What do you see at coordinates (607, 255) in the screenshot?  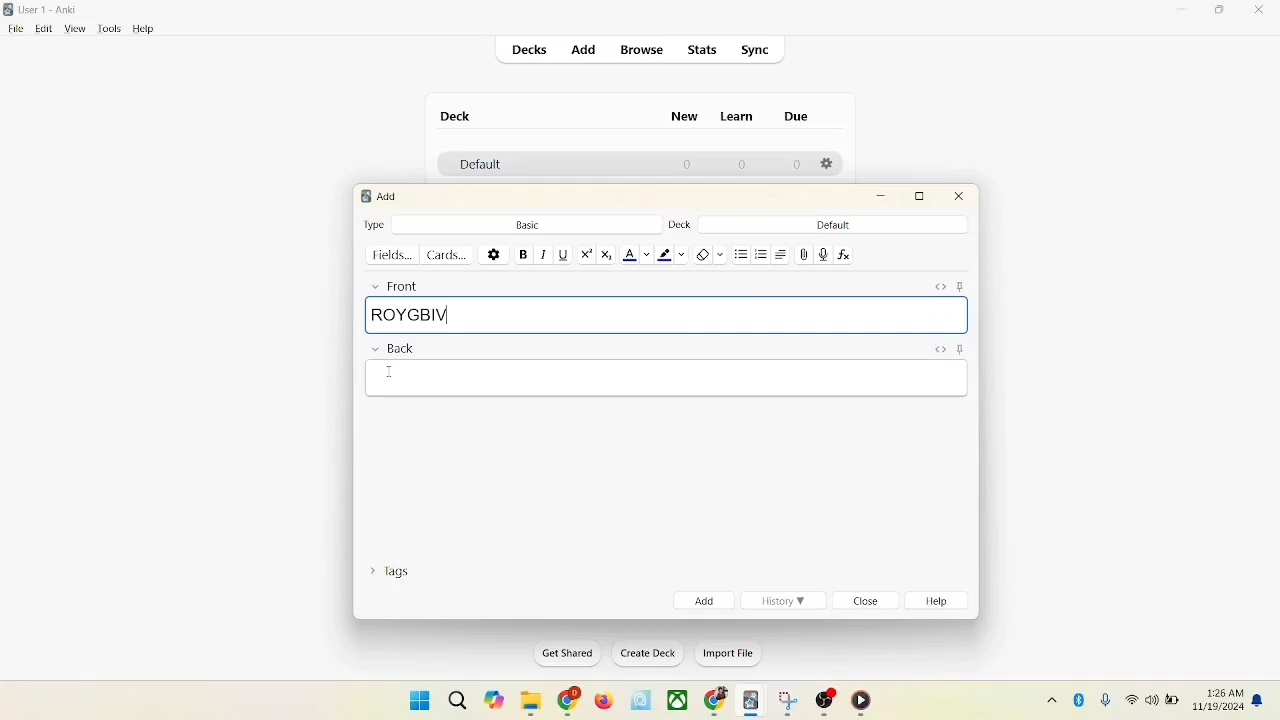 I see `subscript` at bounding box center [607, 255].